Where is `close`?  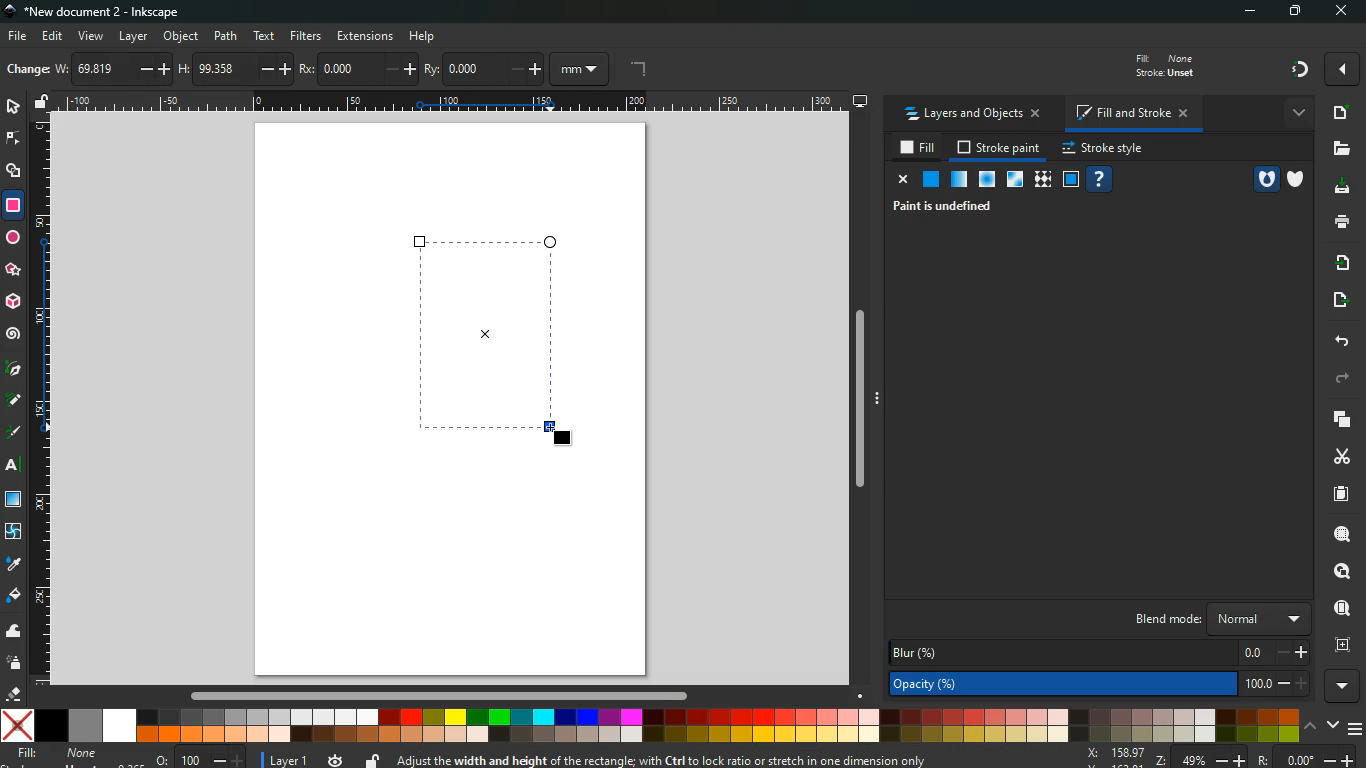
close is located at coordinates (1343, 12).